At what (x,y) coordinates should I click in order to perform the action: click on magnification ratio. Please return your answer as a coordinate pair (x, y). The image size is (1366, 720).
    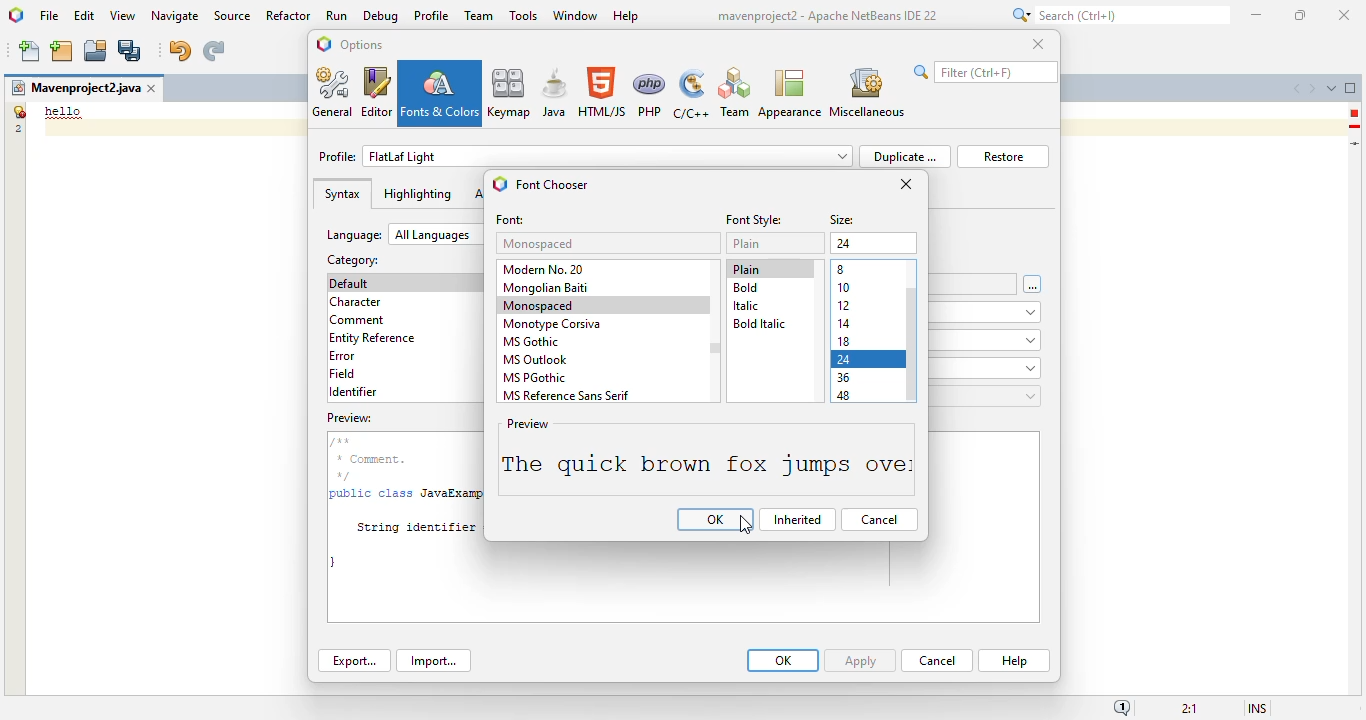
    Looking at the image, I should click on (1188, 707).